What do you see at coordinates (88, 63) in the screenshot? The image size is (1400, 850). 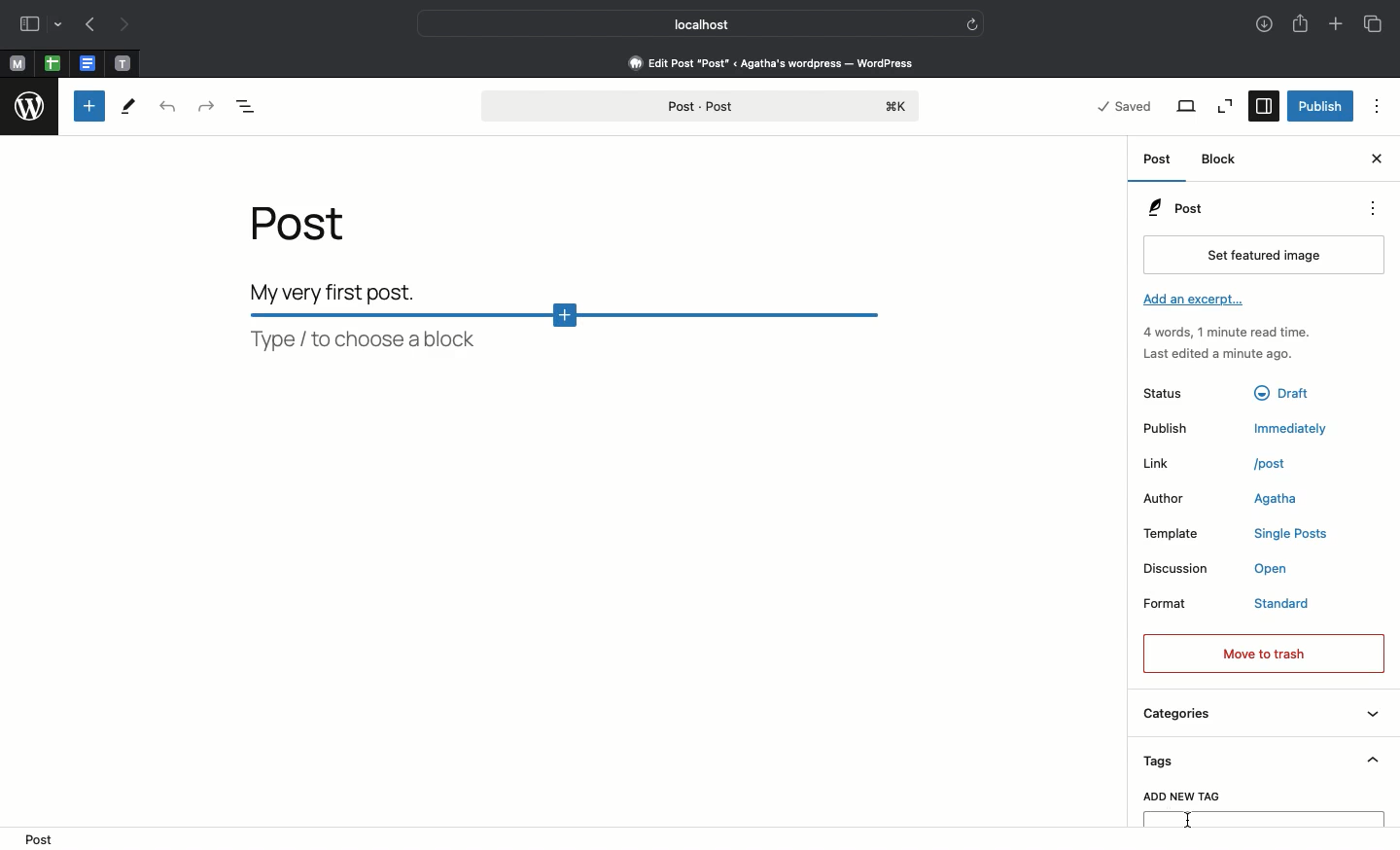 I see `Pinned tabs` at bounding box center [88, 63].